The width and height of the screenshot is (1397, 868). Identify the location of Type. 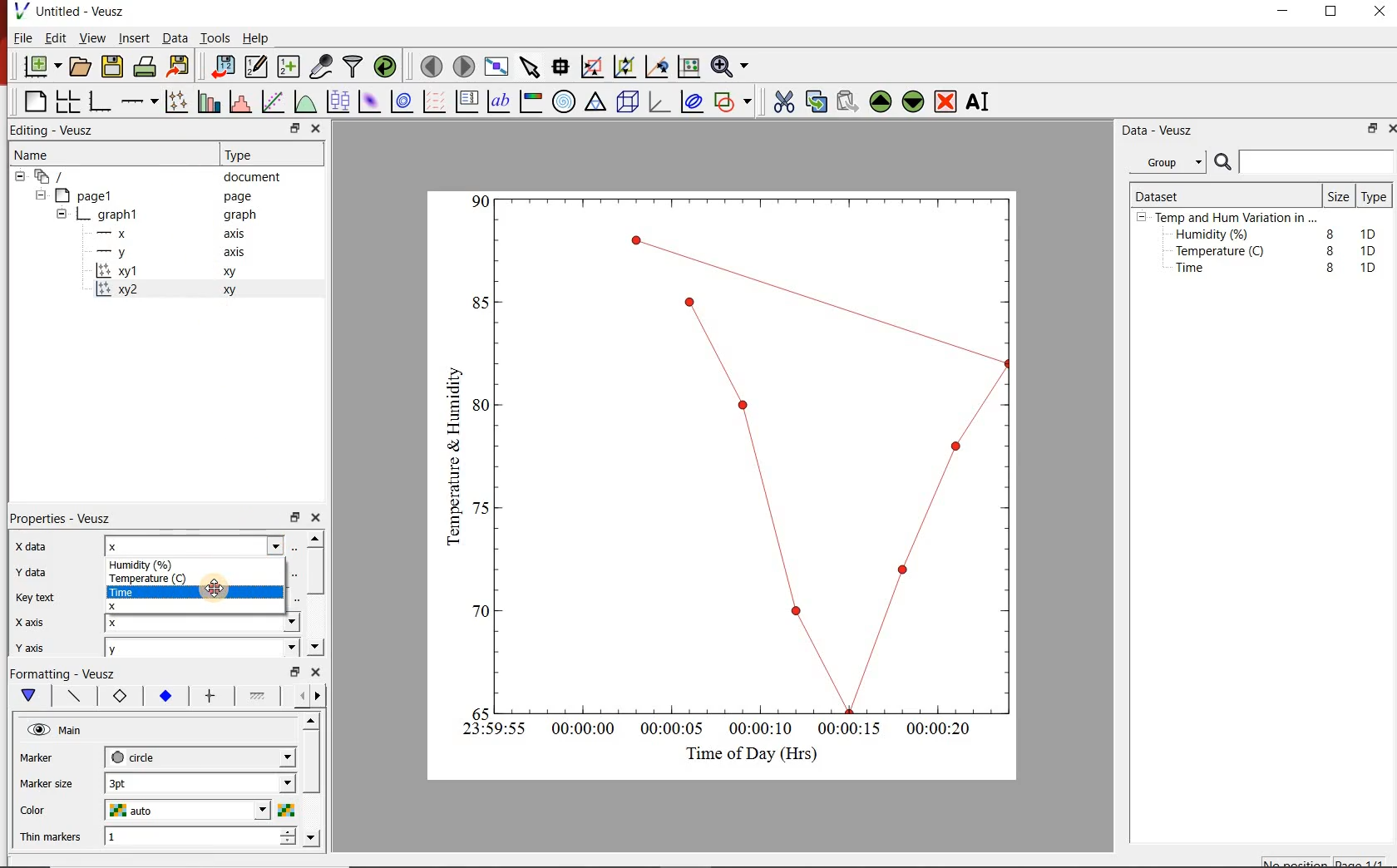
(1375, 198).